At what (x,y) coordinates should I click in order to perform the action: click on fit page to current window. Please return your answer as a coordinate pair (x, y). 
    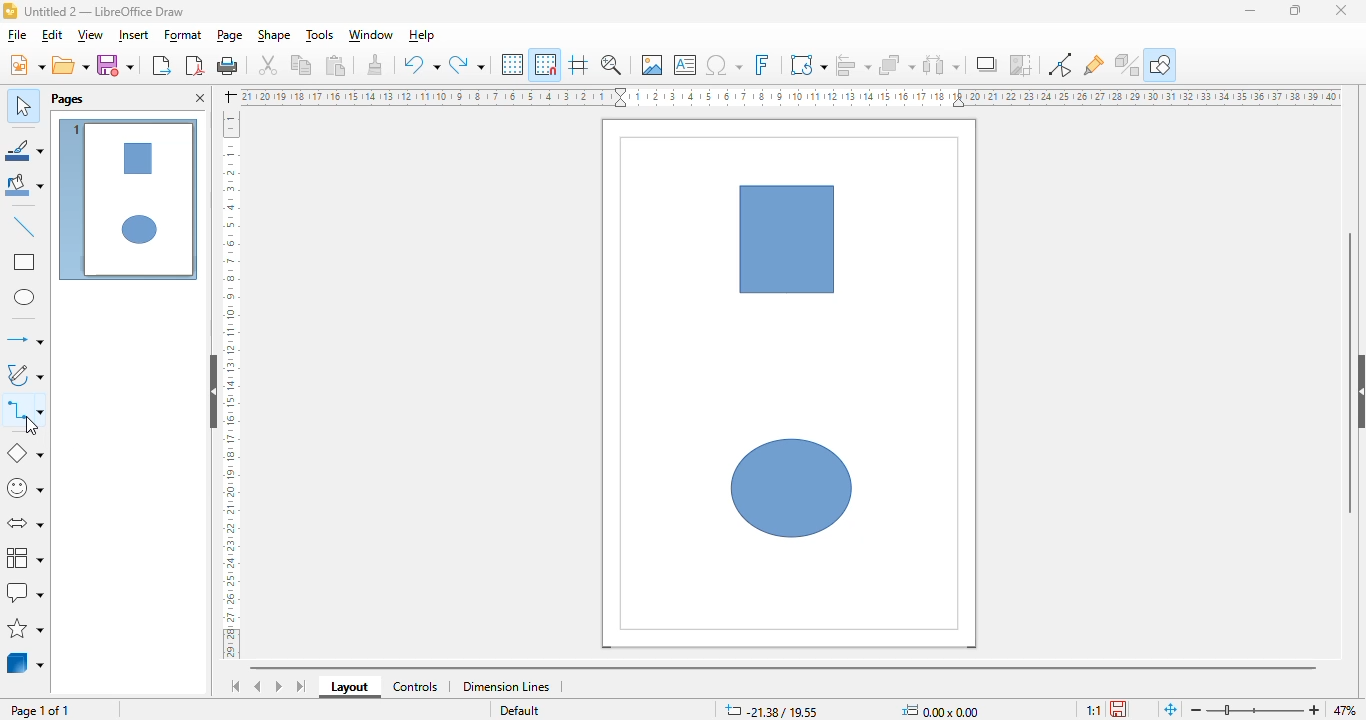
    Looking at the image, I should click on (1170, 709).